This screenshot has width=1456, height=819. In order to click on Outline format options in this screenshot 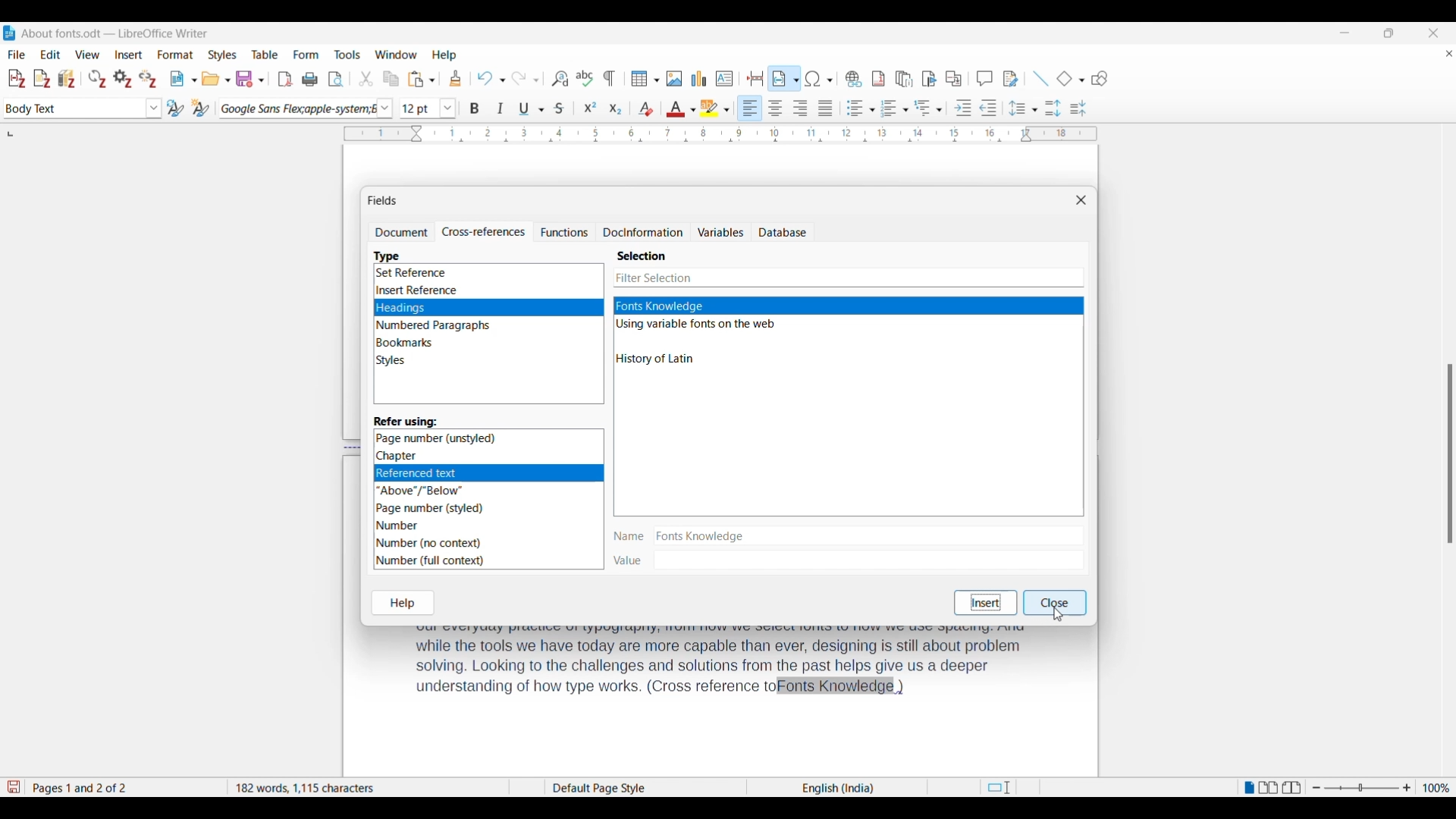, I will do `click(929, 108)`.